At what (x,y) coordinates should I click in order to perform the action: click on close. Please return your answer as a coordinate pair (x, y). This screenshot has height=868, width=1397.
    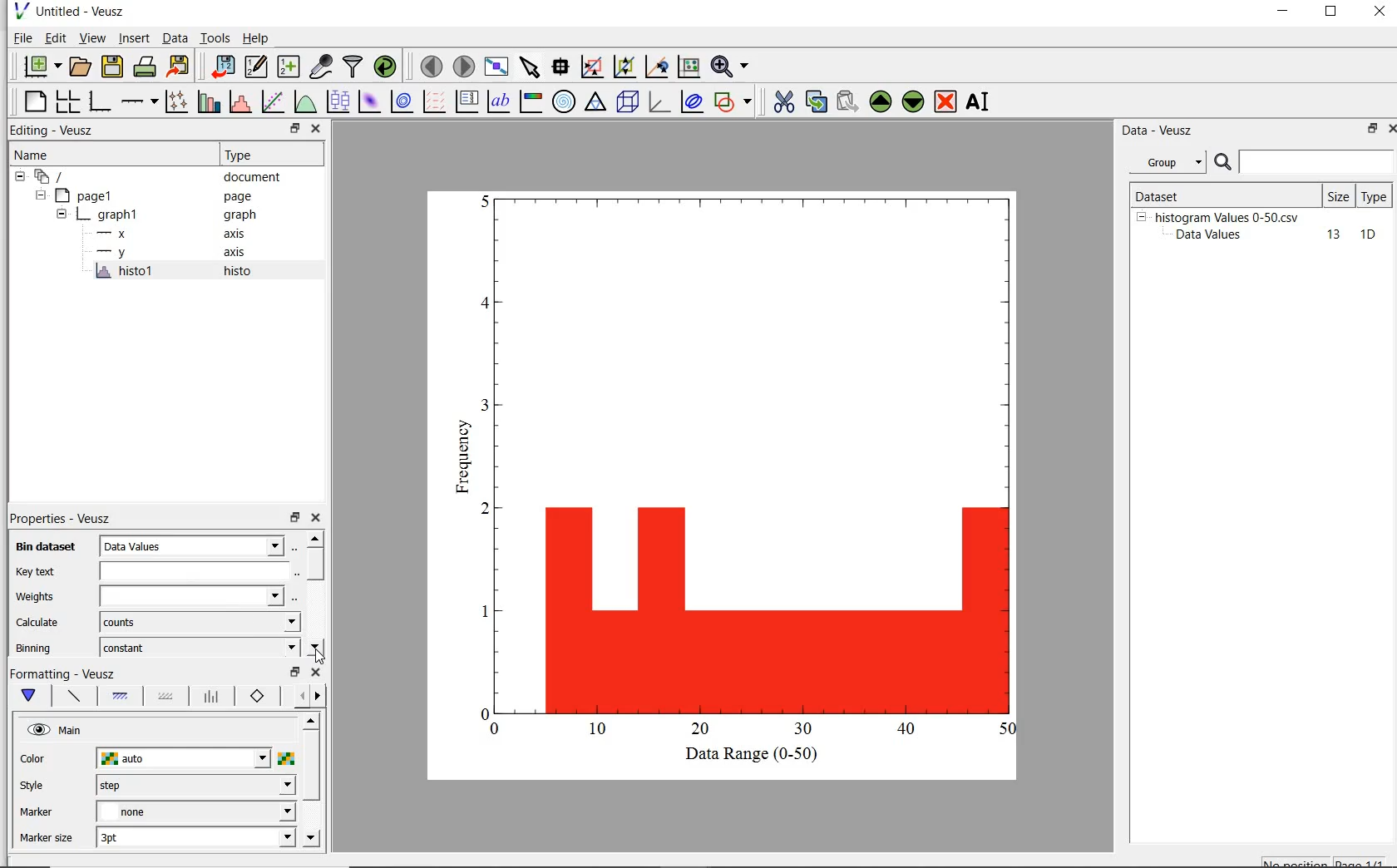
    Looking at the image, I should click on (1389, 131).